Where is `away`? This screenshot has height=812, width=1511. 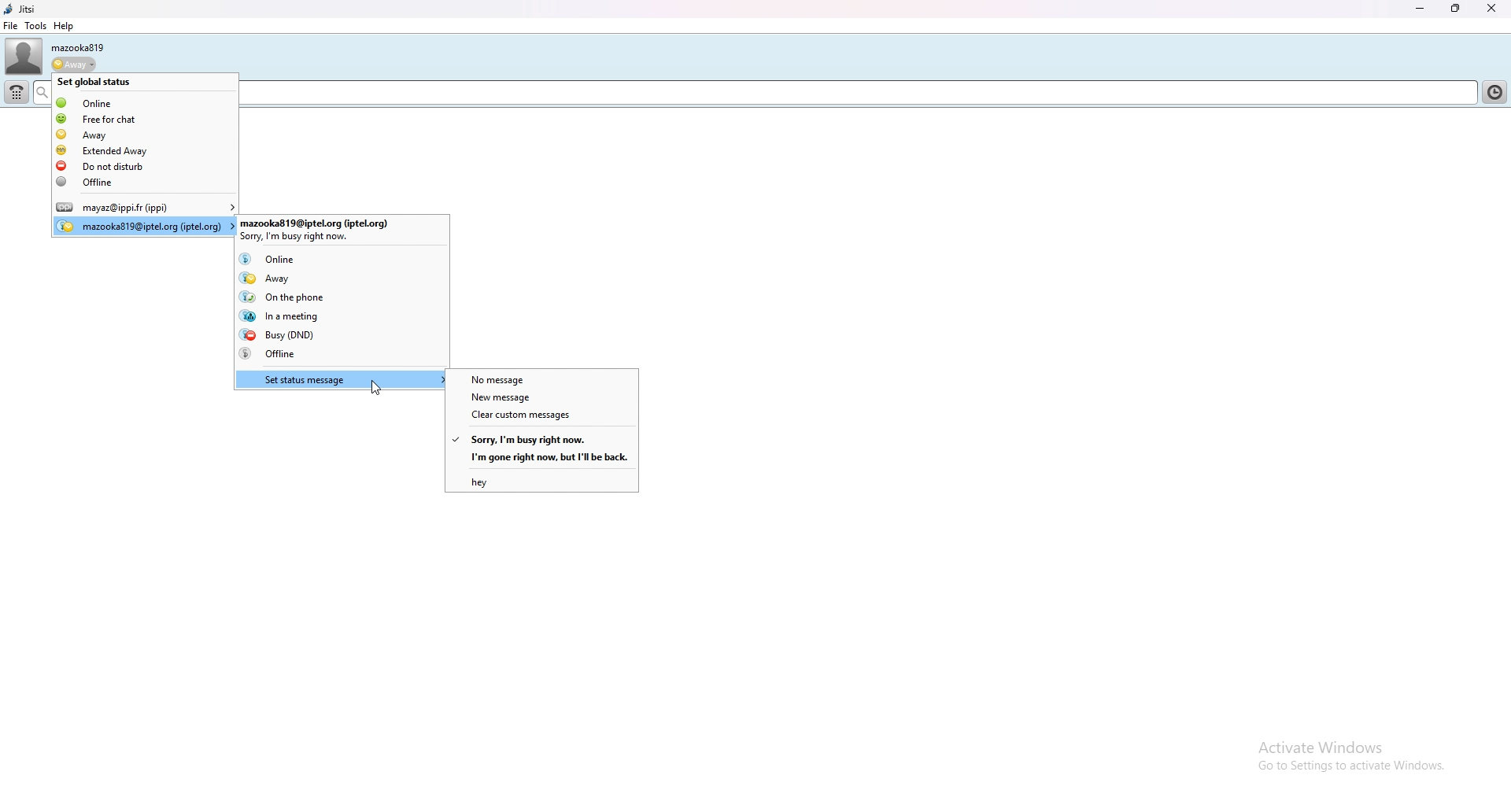
away is located at coordinates (145, 134).